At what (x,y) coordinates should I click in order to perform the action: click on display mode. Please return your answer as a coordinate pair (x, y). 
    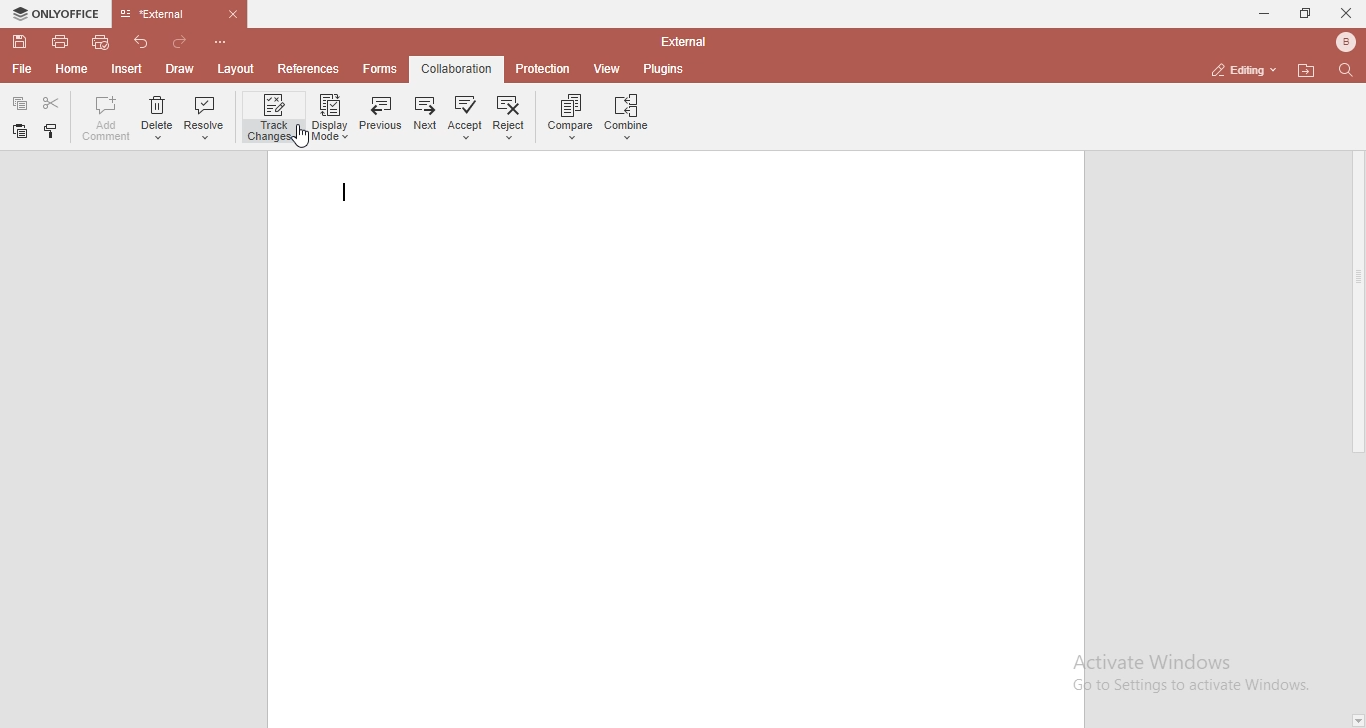
    Looking at the image, I should click on (330, 116).